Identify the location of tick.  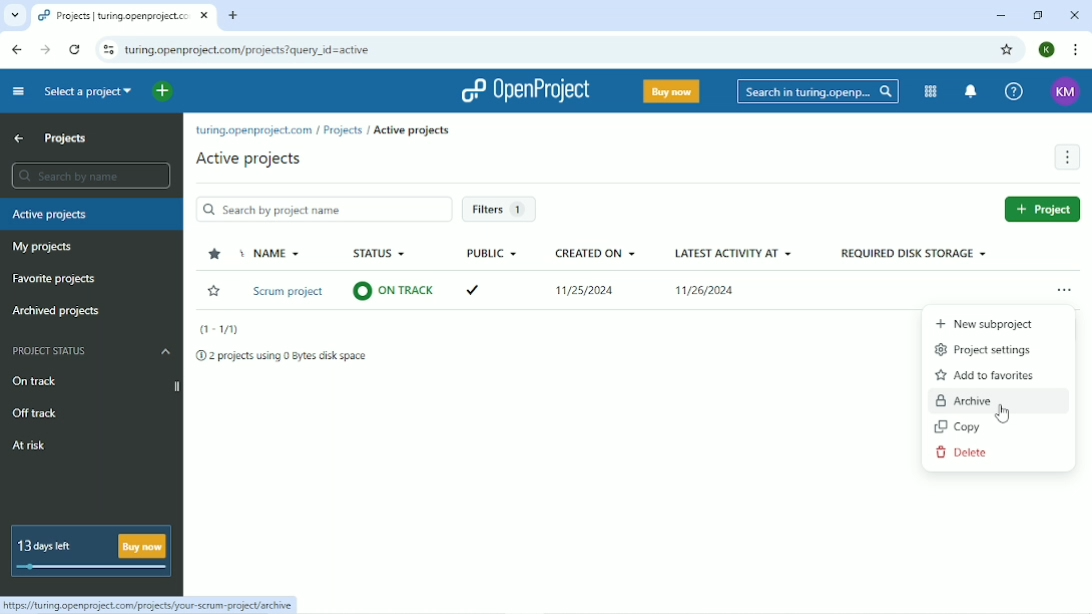
(486, 286).